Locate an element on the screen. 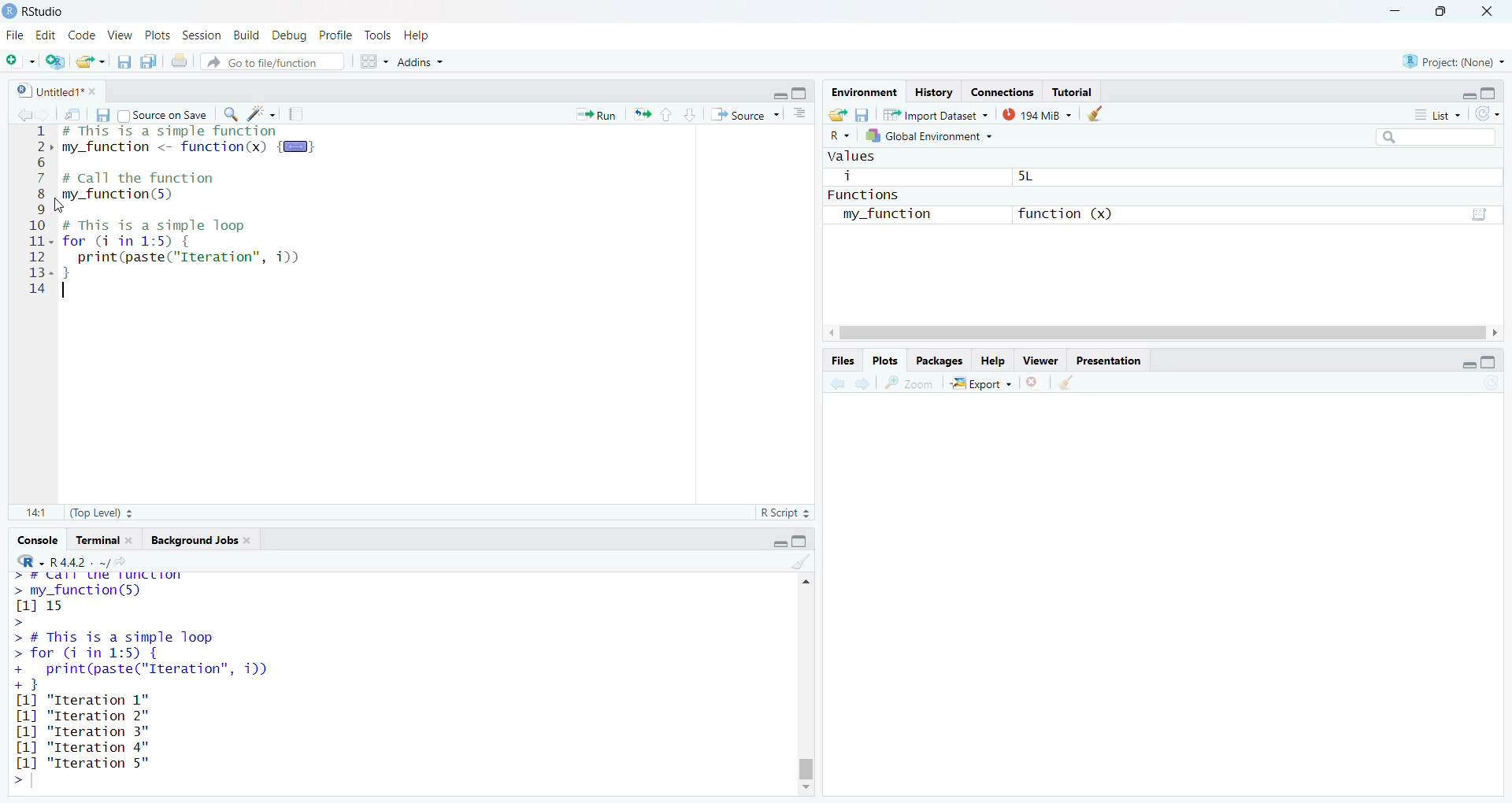 The width and height of the screenshot is (1512, 803). maximize is located at coordinates (1497, 363).